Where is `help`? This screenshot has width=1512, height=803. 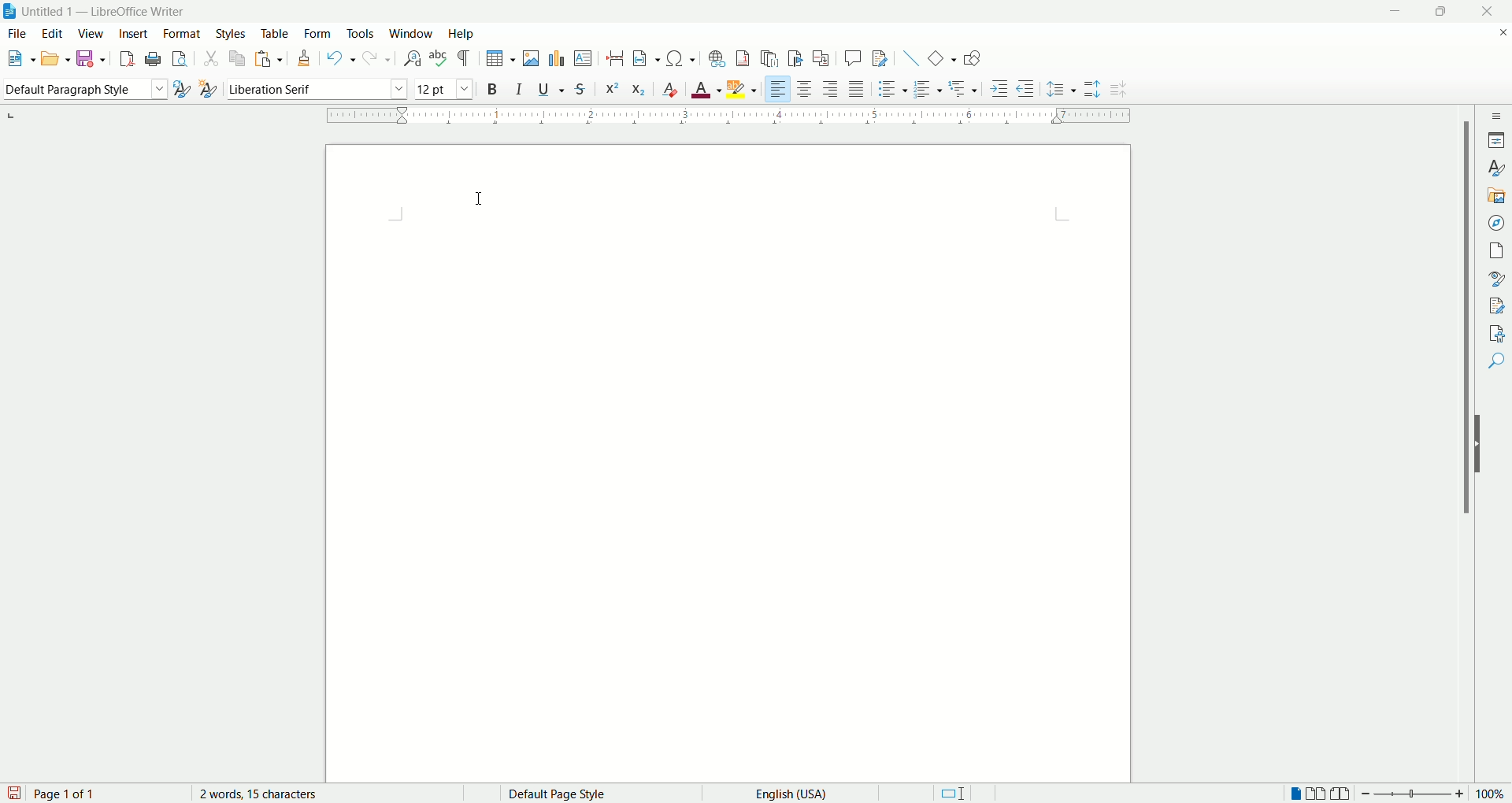
help is located at coordinates (462, 35).